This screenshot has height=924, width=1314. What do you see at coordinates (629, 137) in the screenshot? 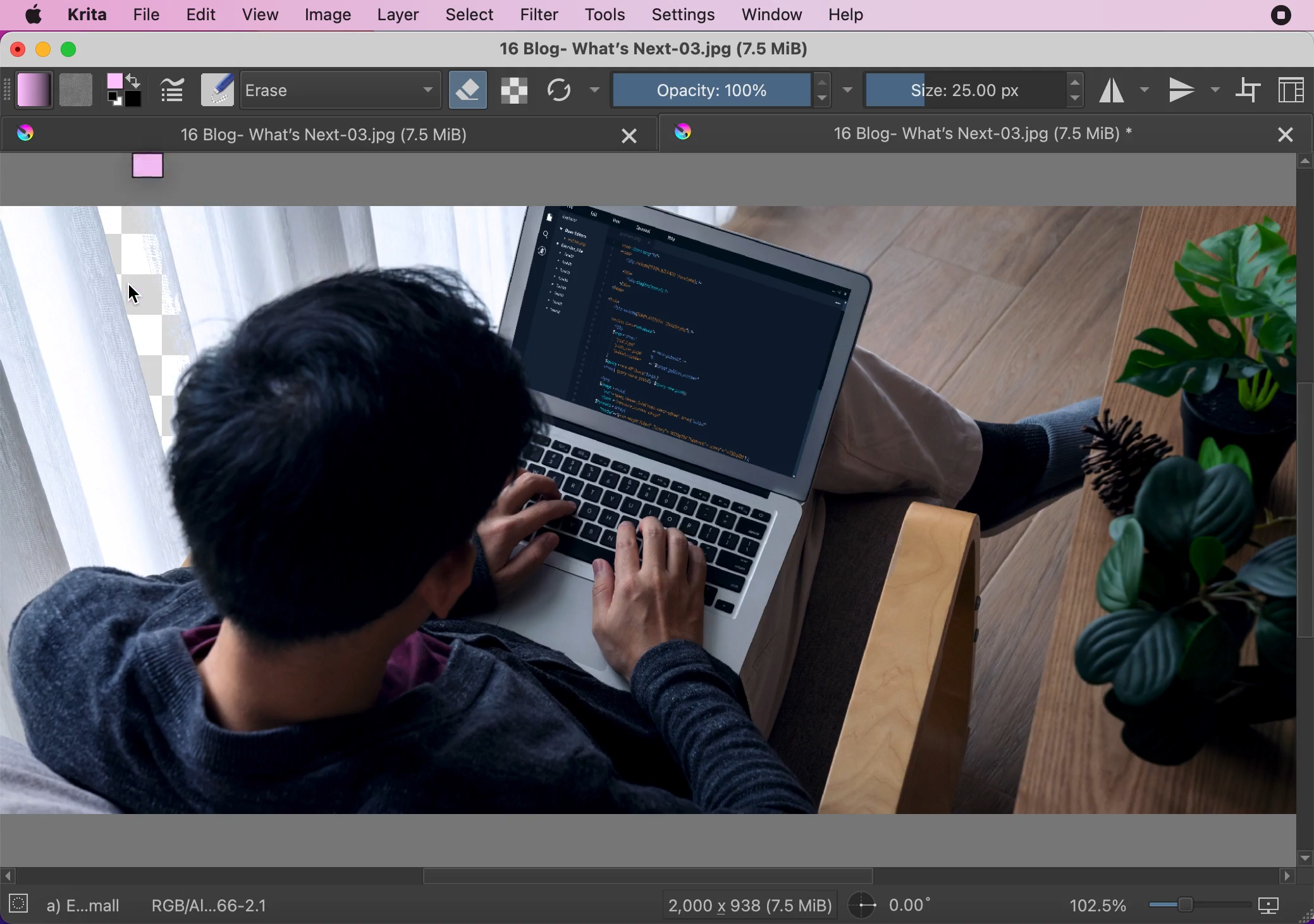
I see `close` at bounding box center [629, 137].